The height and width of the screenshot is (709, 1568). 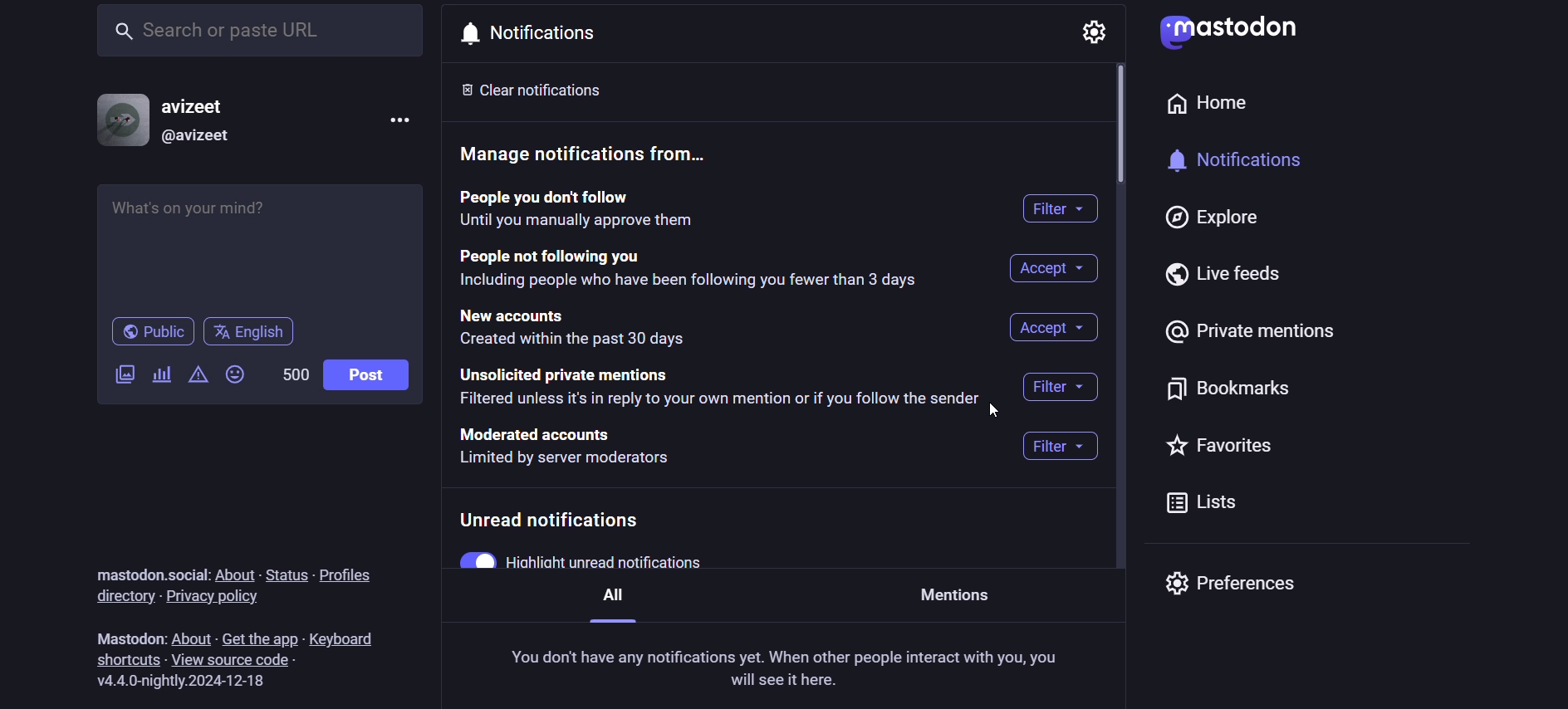 What do you see at coordinates (555, 519) in the screenshot?
I see `Unread notification` at bounding box center [555, 519].